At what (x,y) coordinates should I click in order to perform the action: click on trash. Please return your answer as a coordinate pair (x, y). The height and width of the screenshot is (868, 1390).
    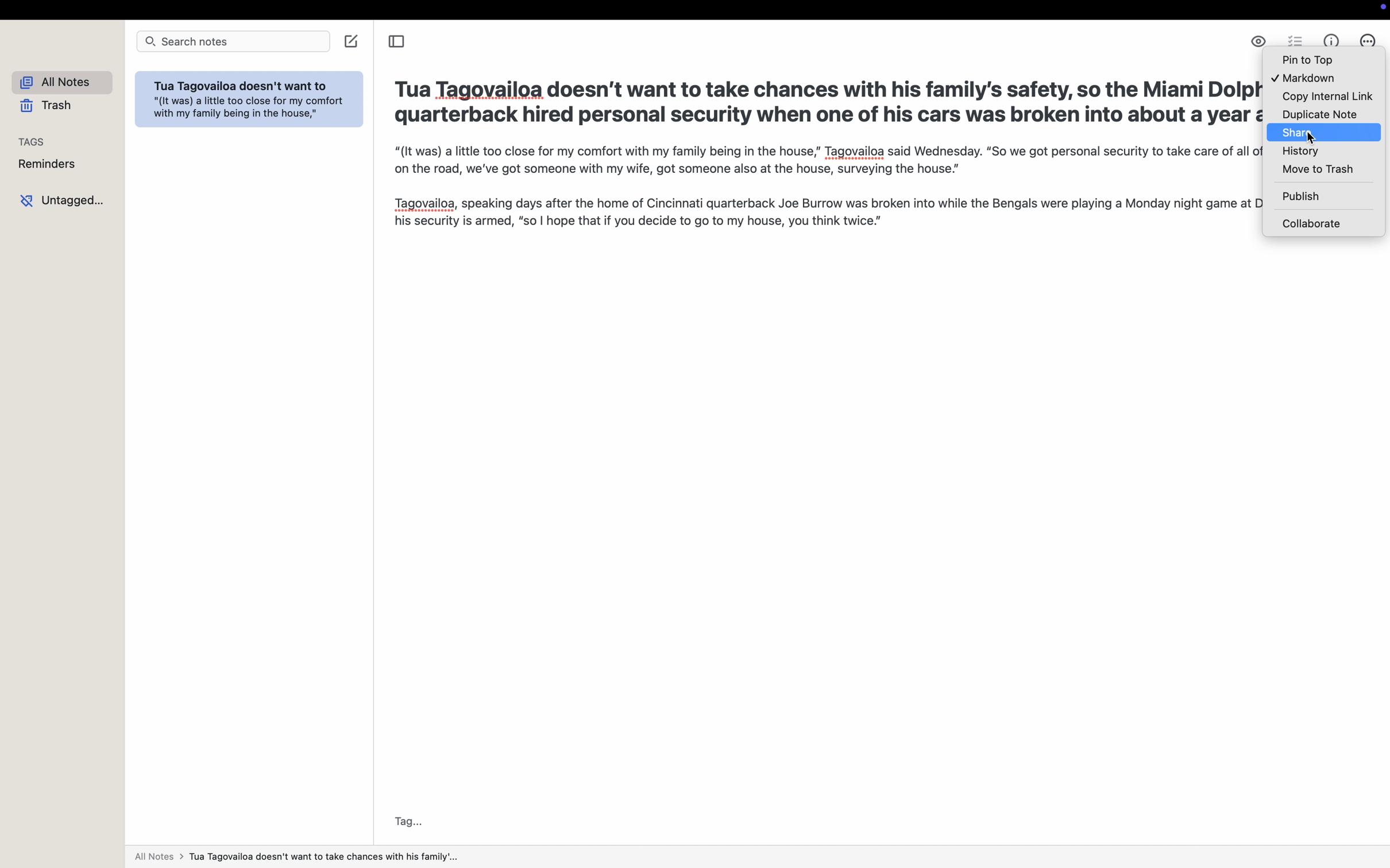
    Looking at the image, I should click on (51, 107).